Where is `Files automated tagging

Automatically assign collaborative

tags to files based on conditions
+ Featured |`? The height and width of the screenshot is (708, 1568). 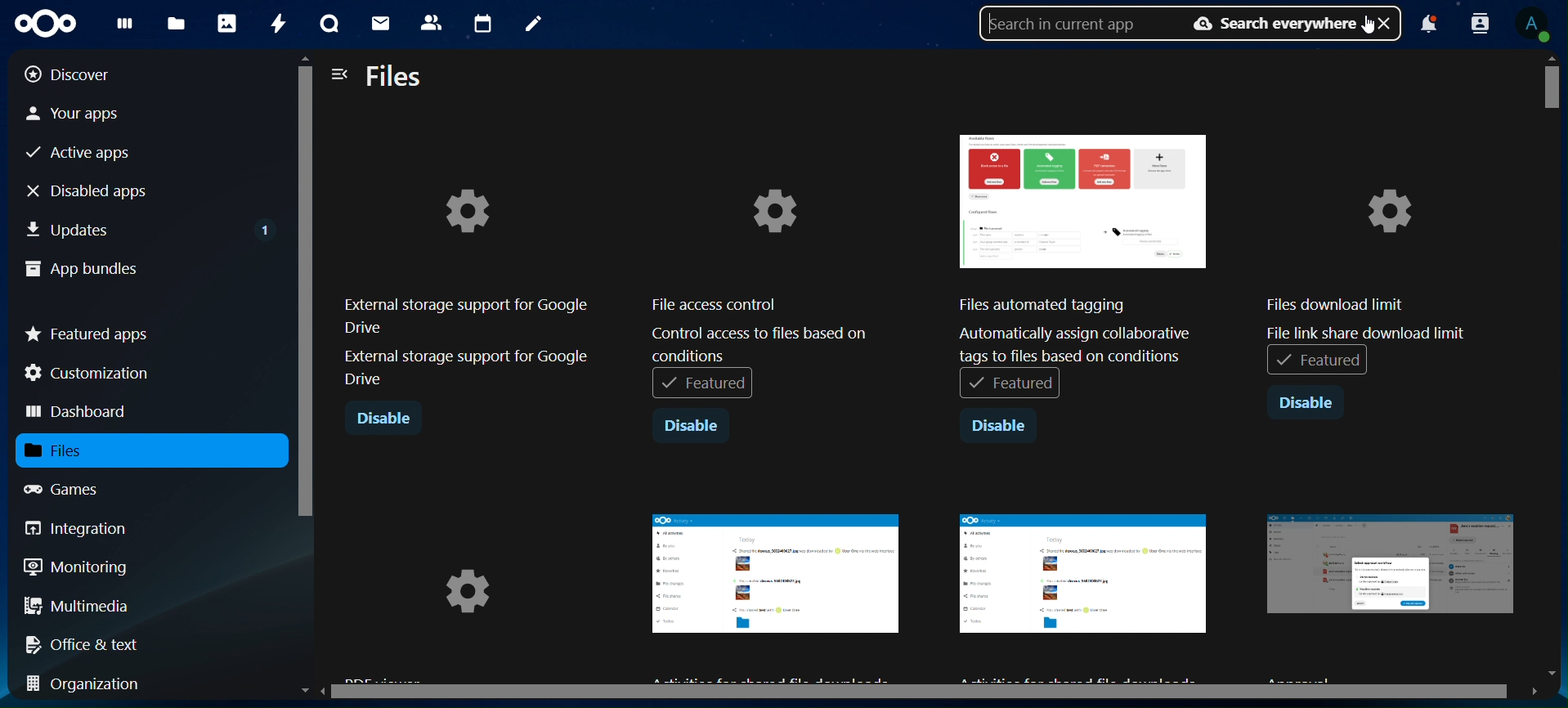
Files automated tagging

Automatically assign collaborative

tags to files based on conditions
+ Featured | is located at coordinates (1084, 269).